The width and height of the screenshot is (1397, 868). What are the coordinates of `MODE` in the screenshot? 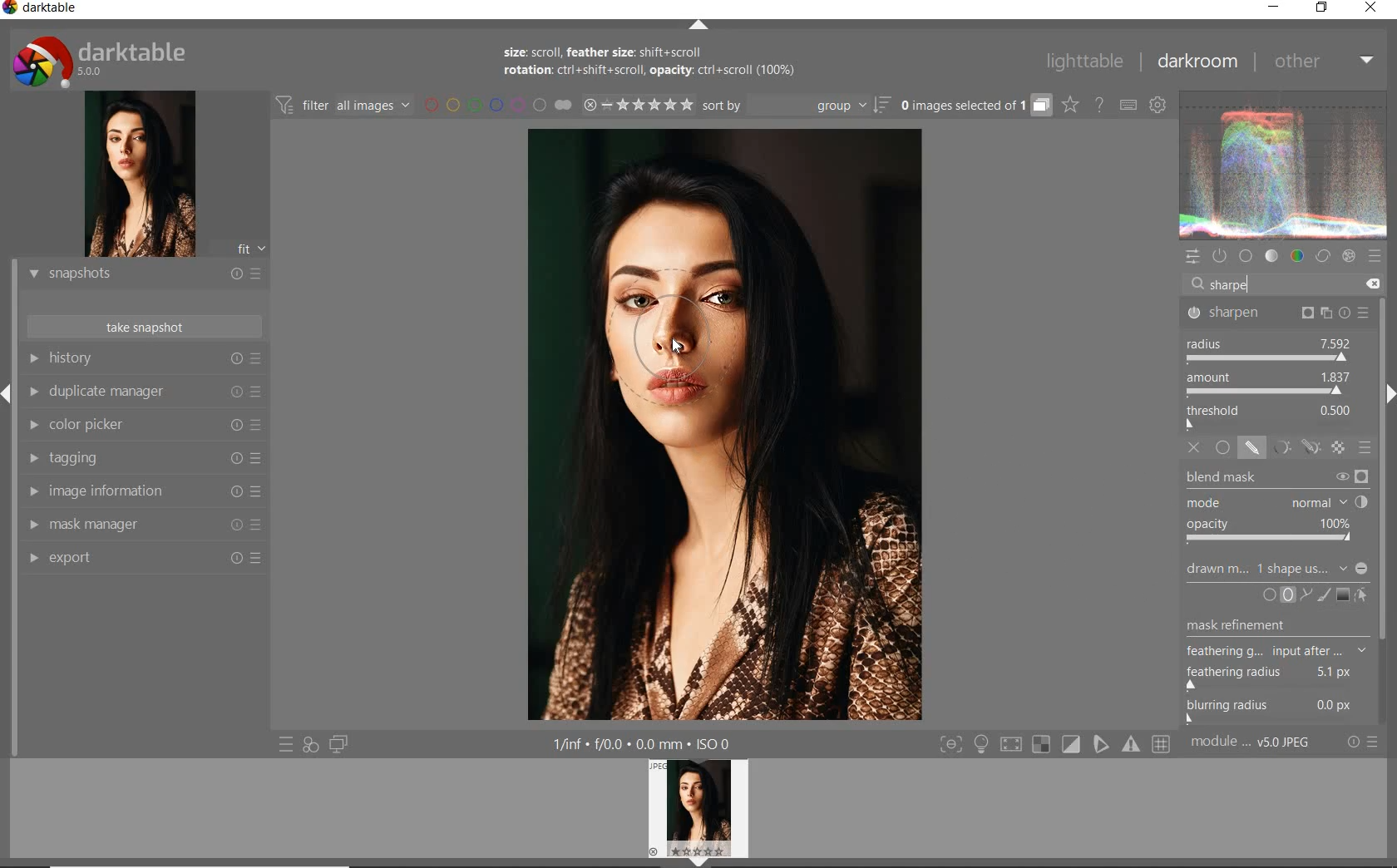 It's located at (1279, 501).